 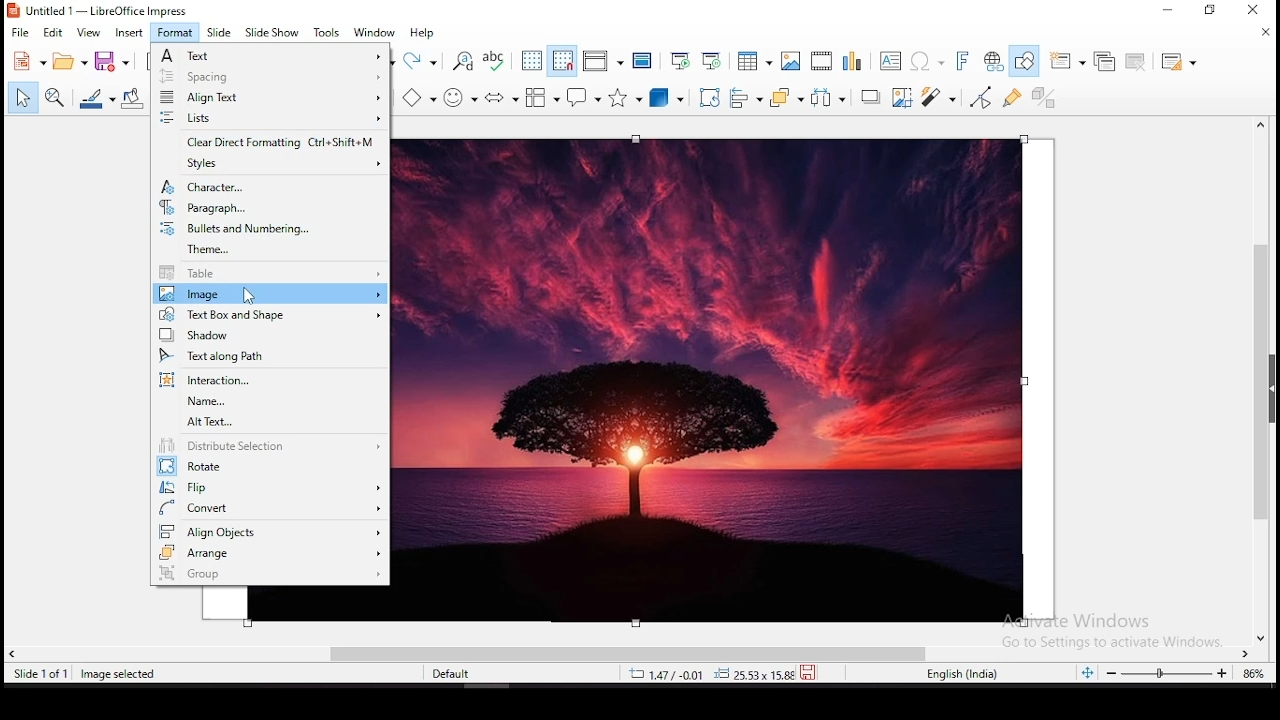 I want to click on group, so click(x=272, y=575).